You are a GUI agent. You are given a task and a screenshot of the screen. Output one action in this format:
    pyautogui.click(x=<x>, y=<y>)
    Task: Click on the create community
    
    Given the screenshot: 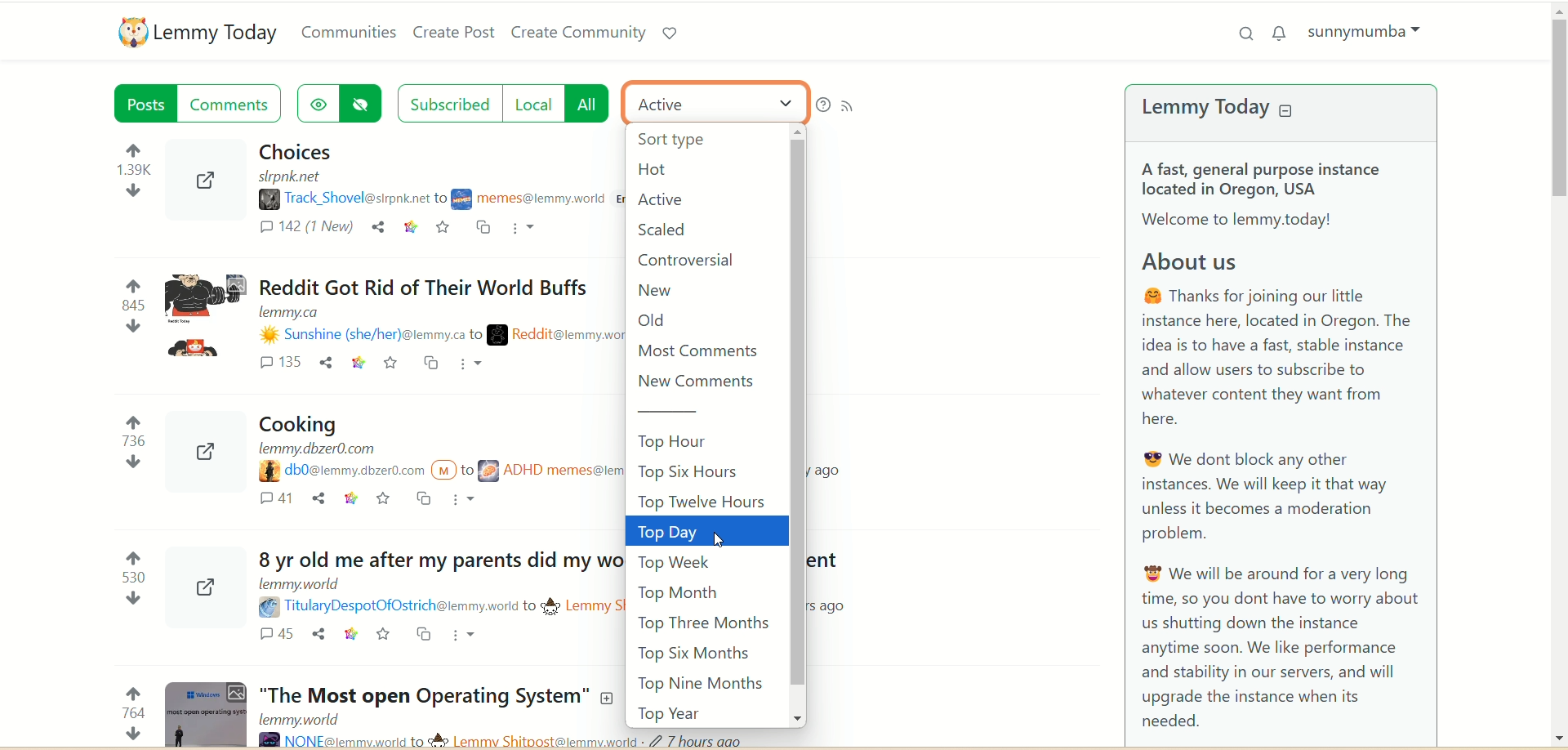 What is the action you would take?
    pyautogui.click(x=579, y=33)
    